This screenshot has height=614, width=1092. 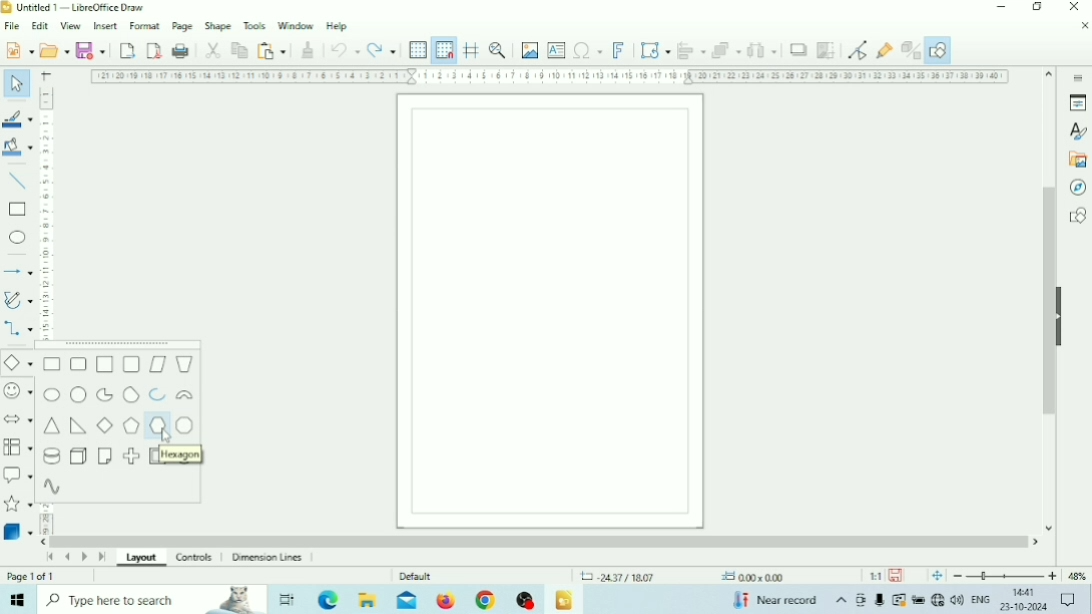 I want to click on Snap to Grid, so click(x=444, y=50).